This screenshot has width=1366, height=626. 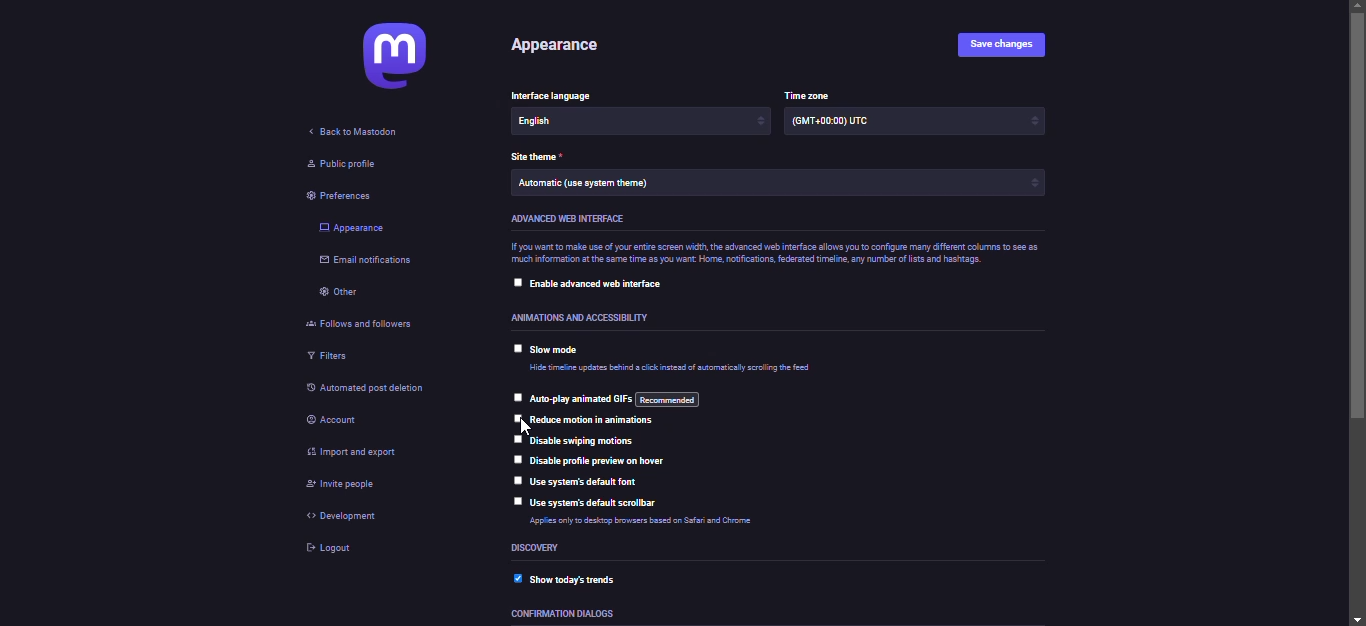 What do you see at coordinates (561, 47) in the screenshot?
I see `appearance` at bounding box center [561, 47].